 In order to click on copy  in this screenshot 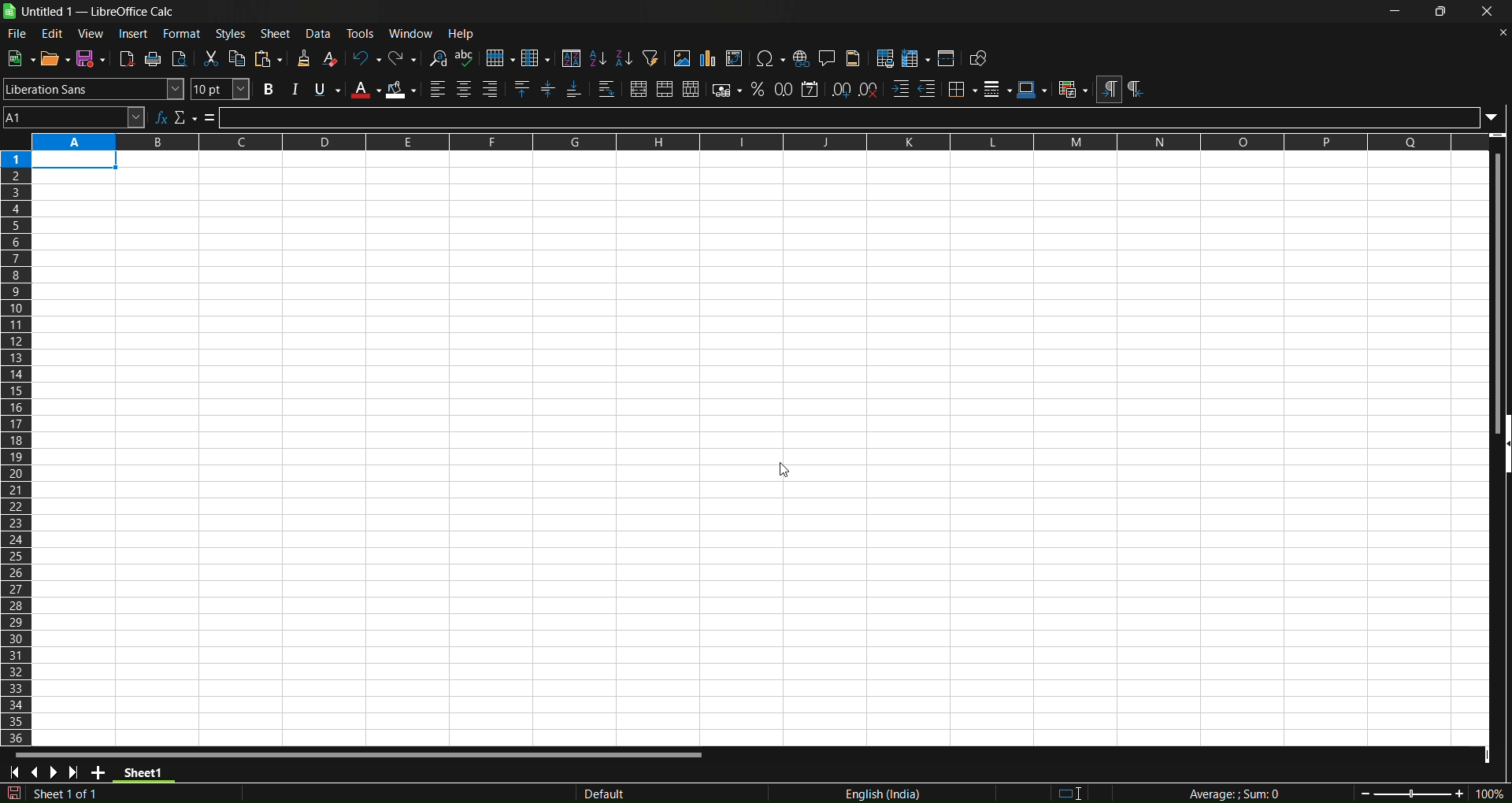, I will do `click(239, 58)`.